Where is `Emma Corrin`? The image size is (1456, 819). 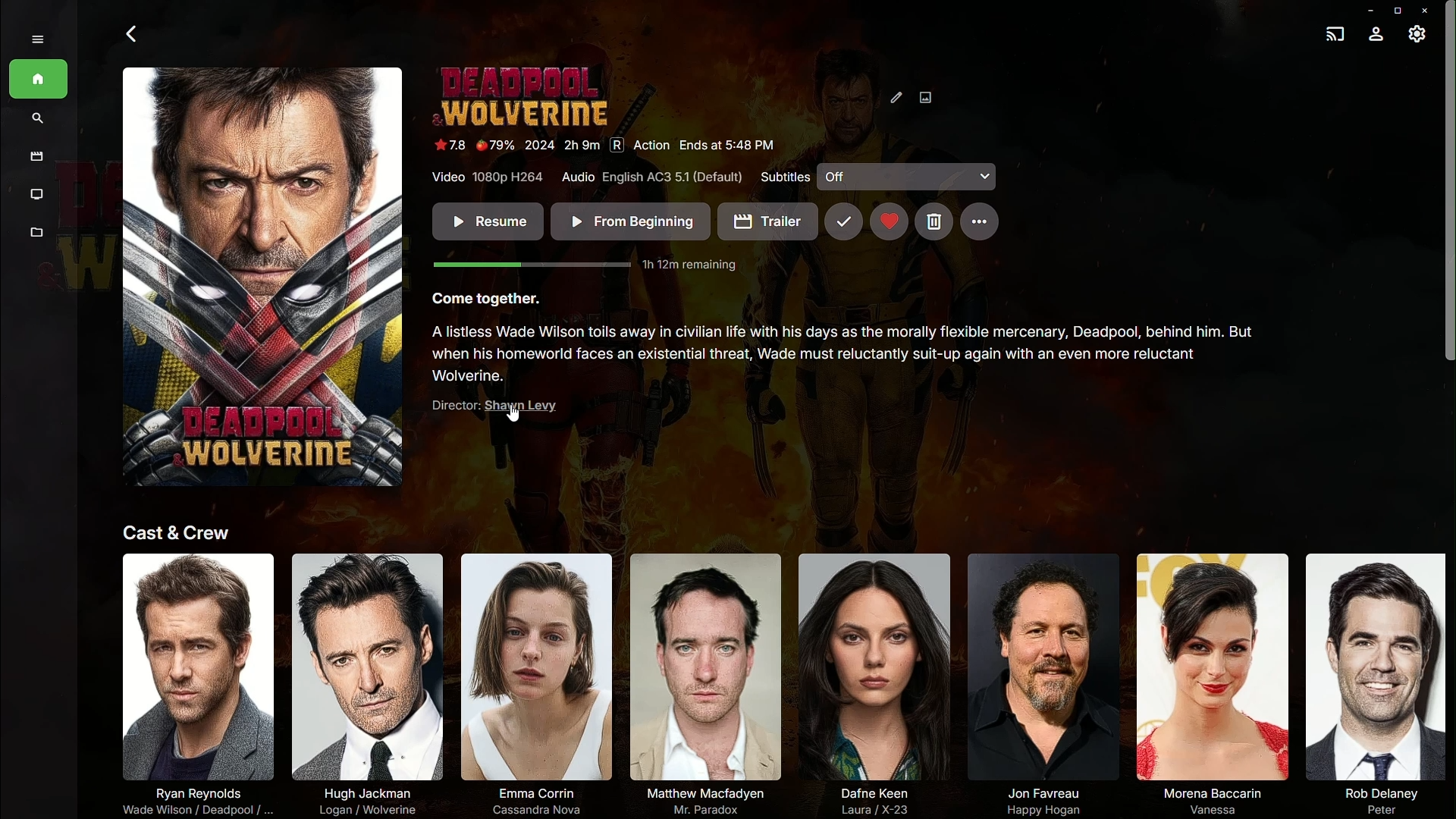 Emma Corrin is located at coordinates (529, 683).